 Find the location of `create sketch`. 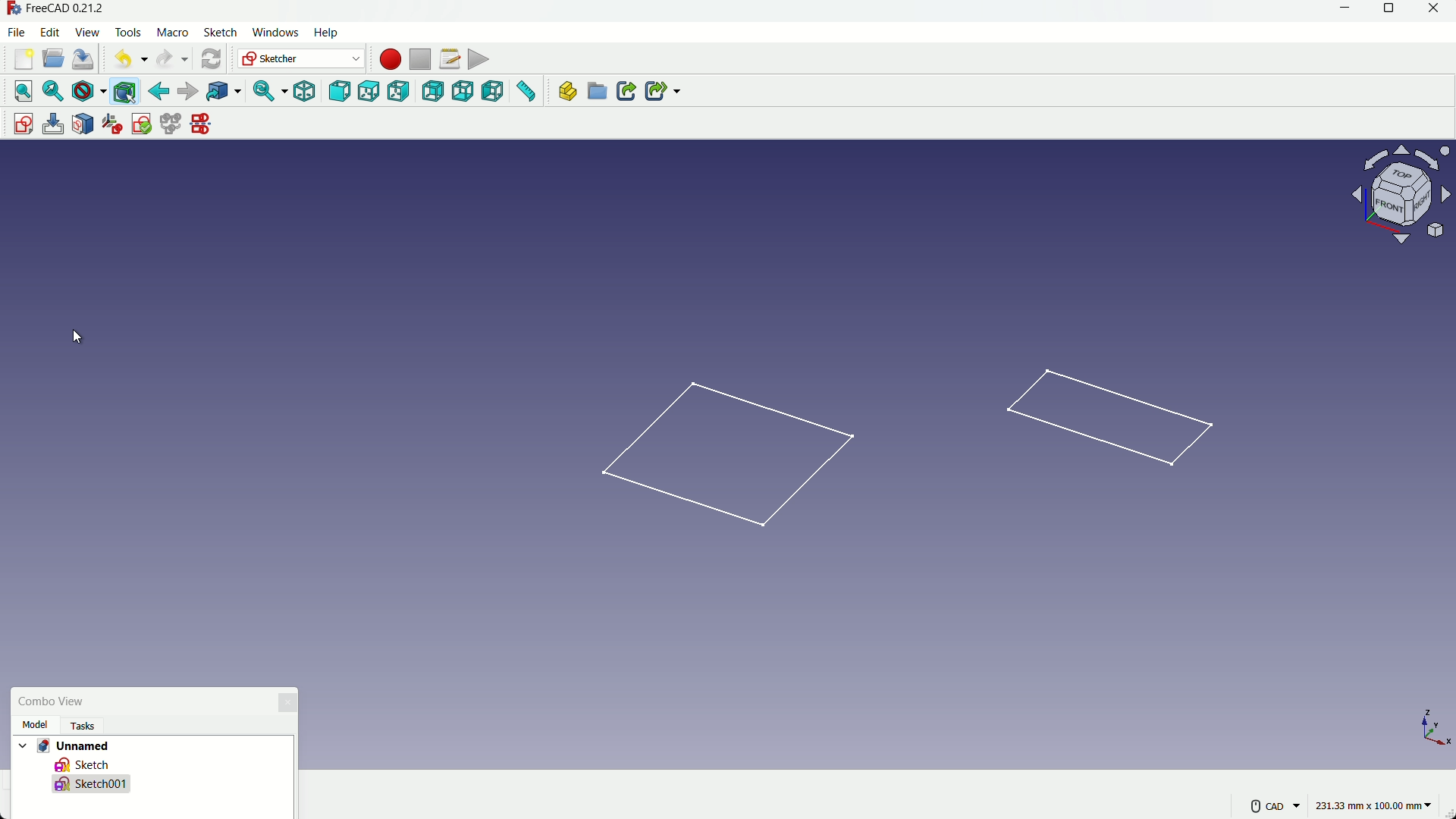

create sketch is located at coordinates (25, 125).